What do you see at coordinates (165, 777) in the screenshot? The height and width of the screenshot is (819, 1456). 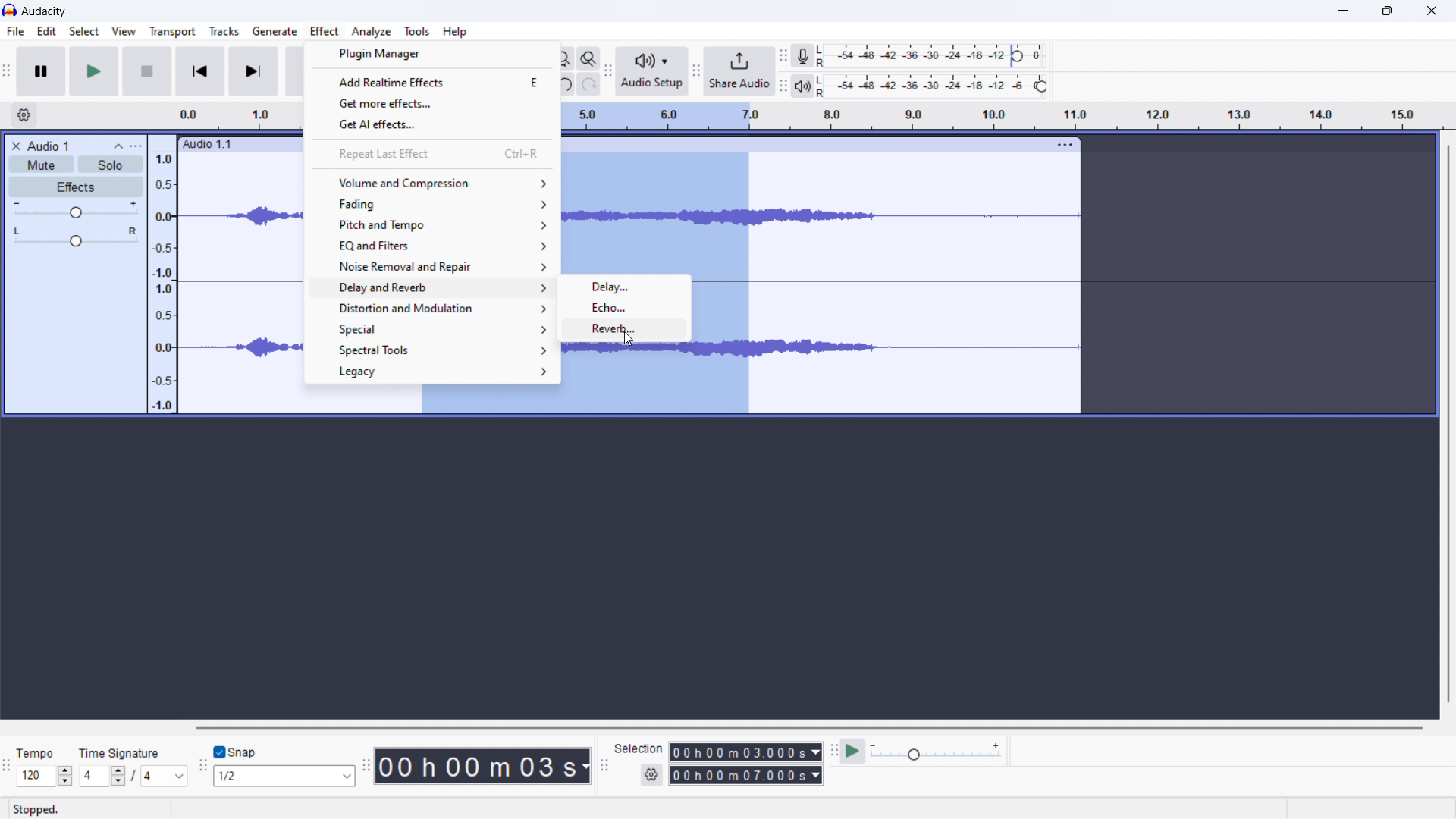 I see `4` at bounding box center [165, 777].